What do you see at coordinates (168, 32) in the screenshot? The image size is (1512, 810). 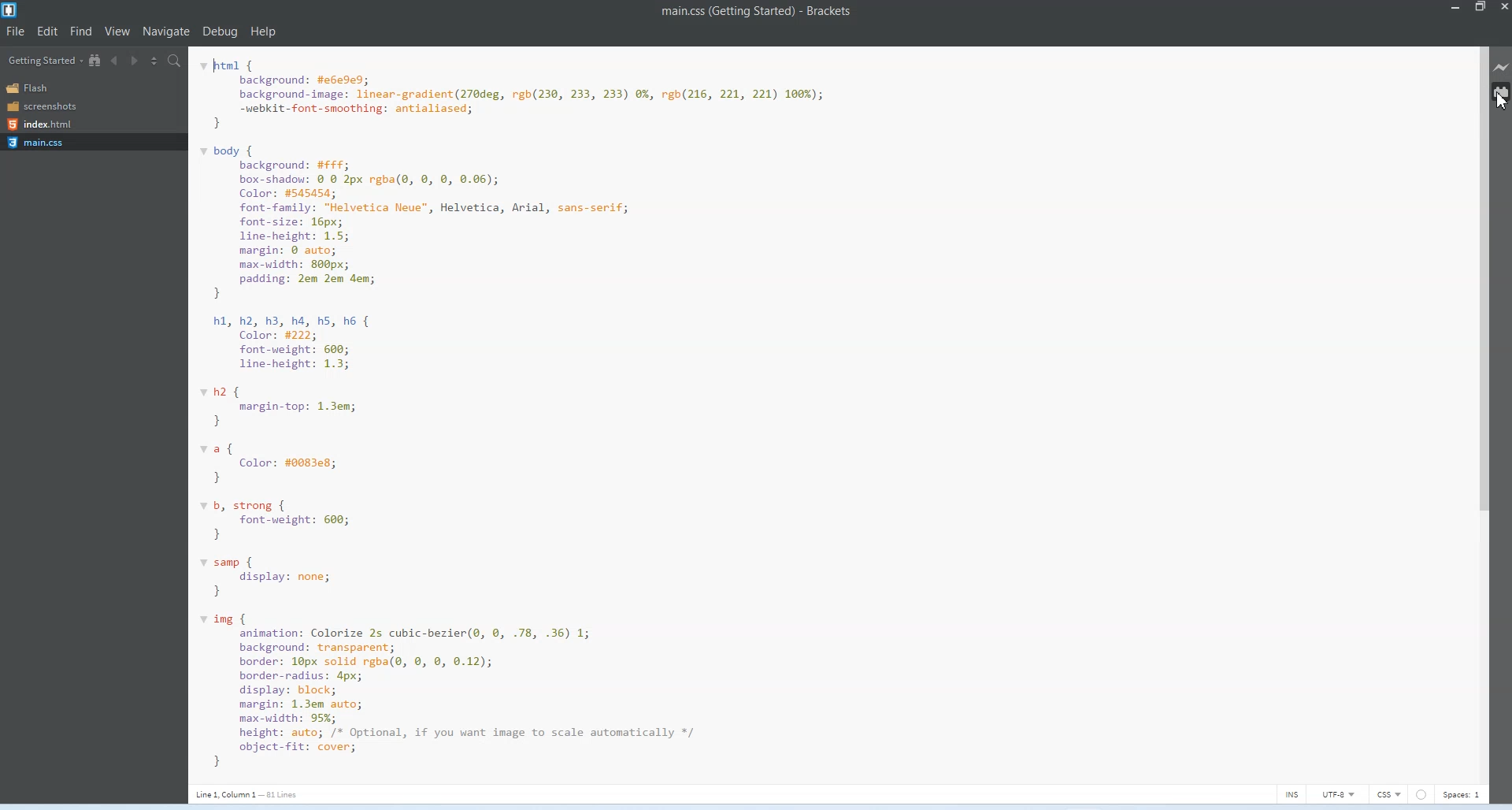 I see `Navigate` at bounding box center [168, 32].